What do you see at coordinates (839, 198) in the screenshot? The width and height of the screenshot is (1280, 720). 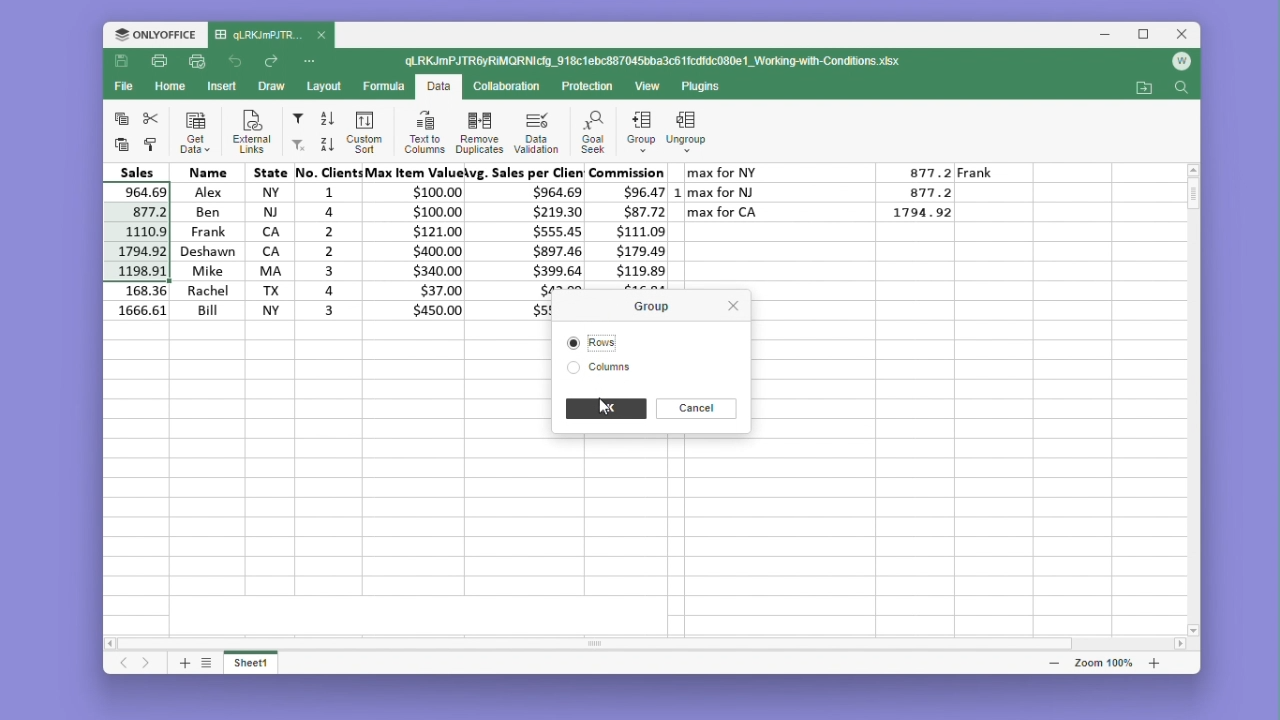 I see `Data table` at bounding box center [839, 198].